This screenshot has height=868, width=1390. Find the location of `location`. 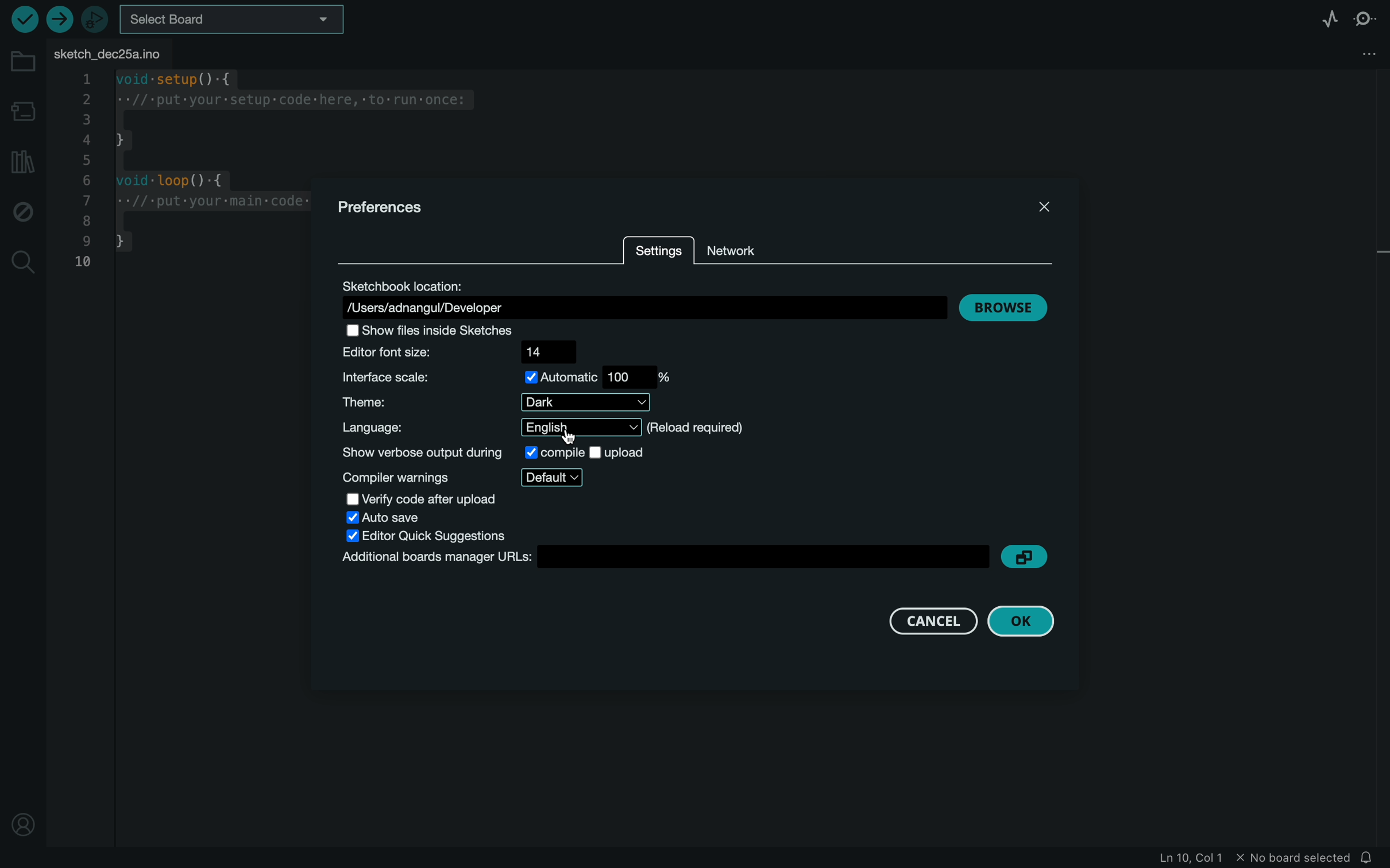

location is located at coordinates (646, 297).